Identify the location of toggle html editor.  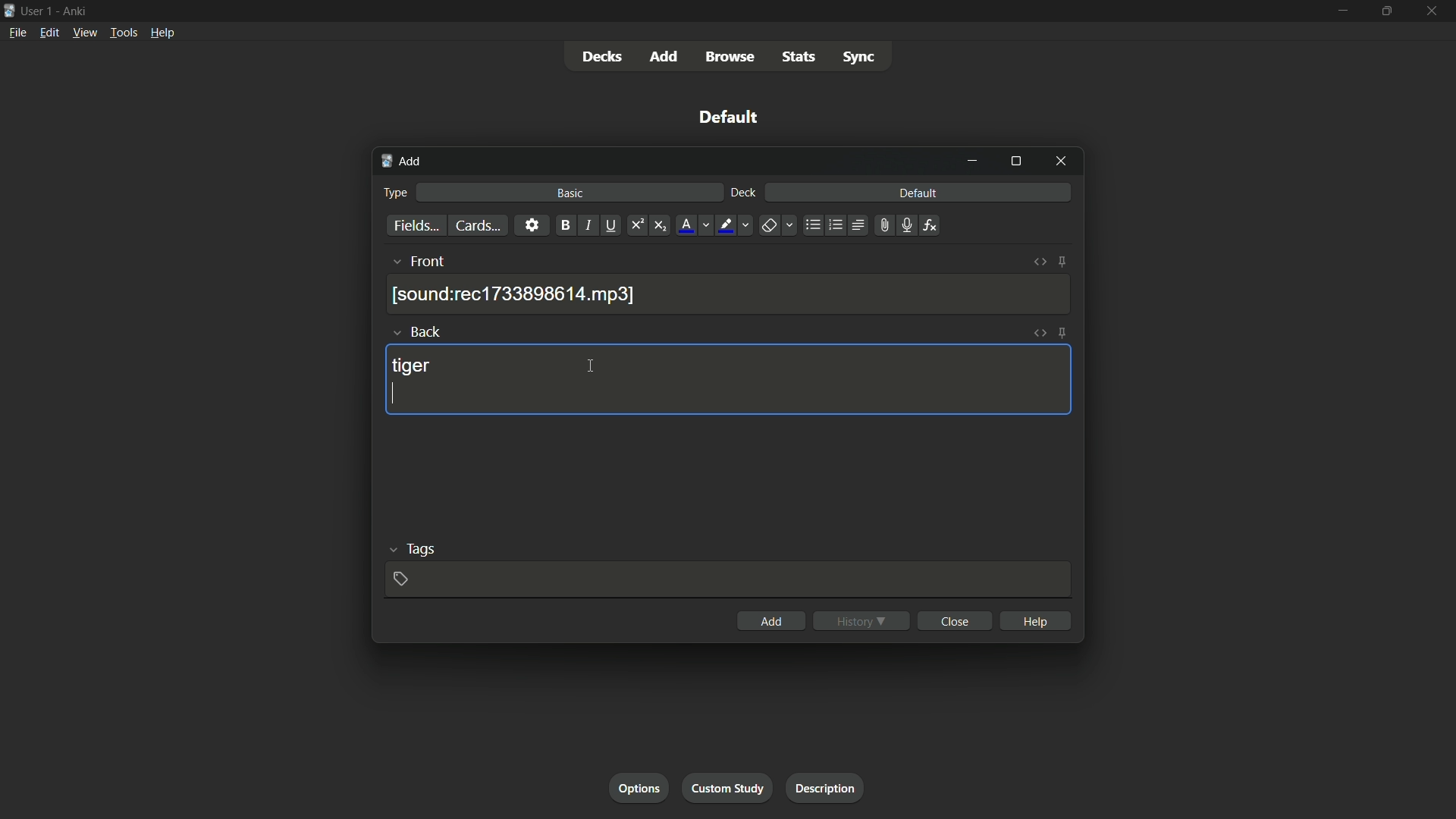
(1040, 263).